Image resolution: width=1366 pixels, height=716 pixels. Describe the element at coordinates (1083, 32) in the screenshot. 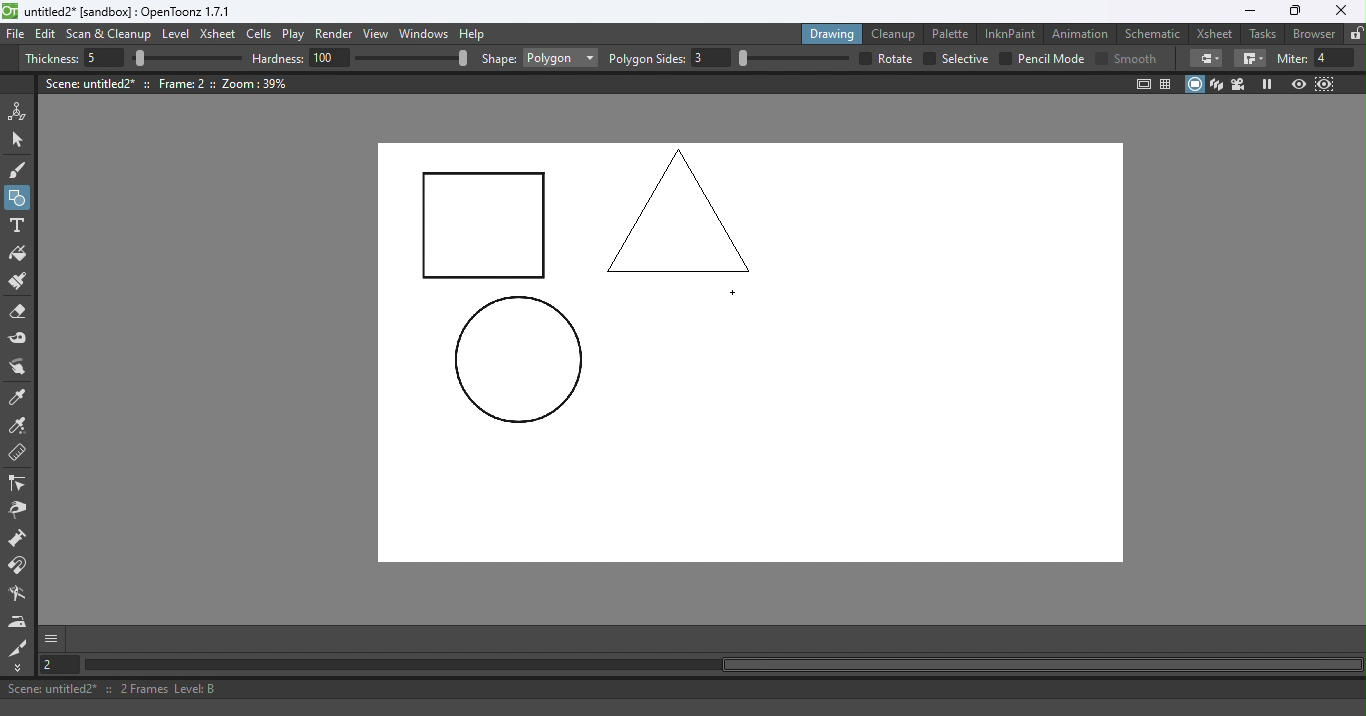

I see `Animation` at that location.